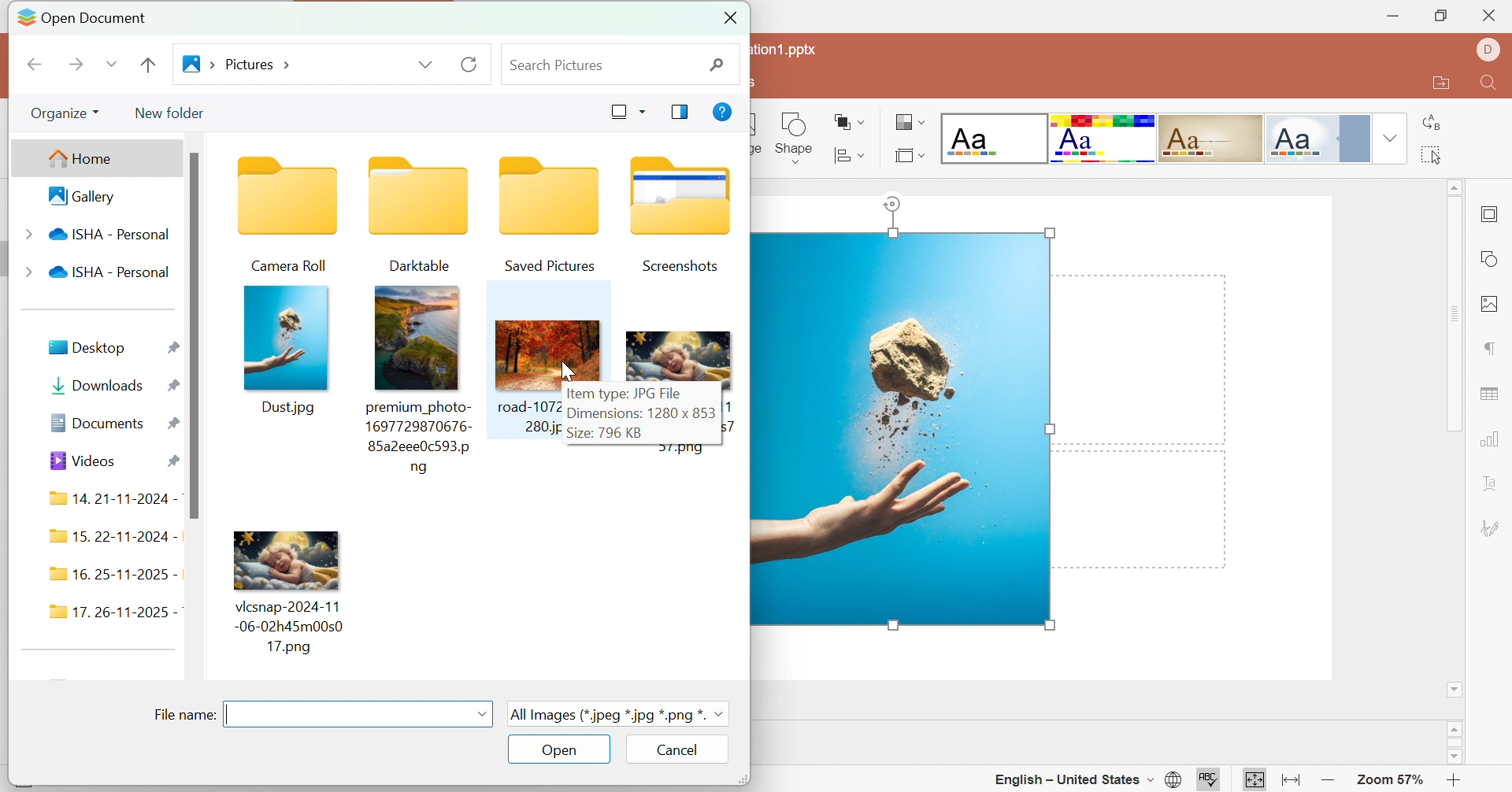 The image size is (1512, 792). Describe the element at coordinates (81, 459) in the screenshot. I see `Videos` at that location.